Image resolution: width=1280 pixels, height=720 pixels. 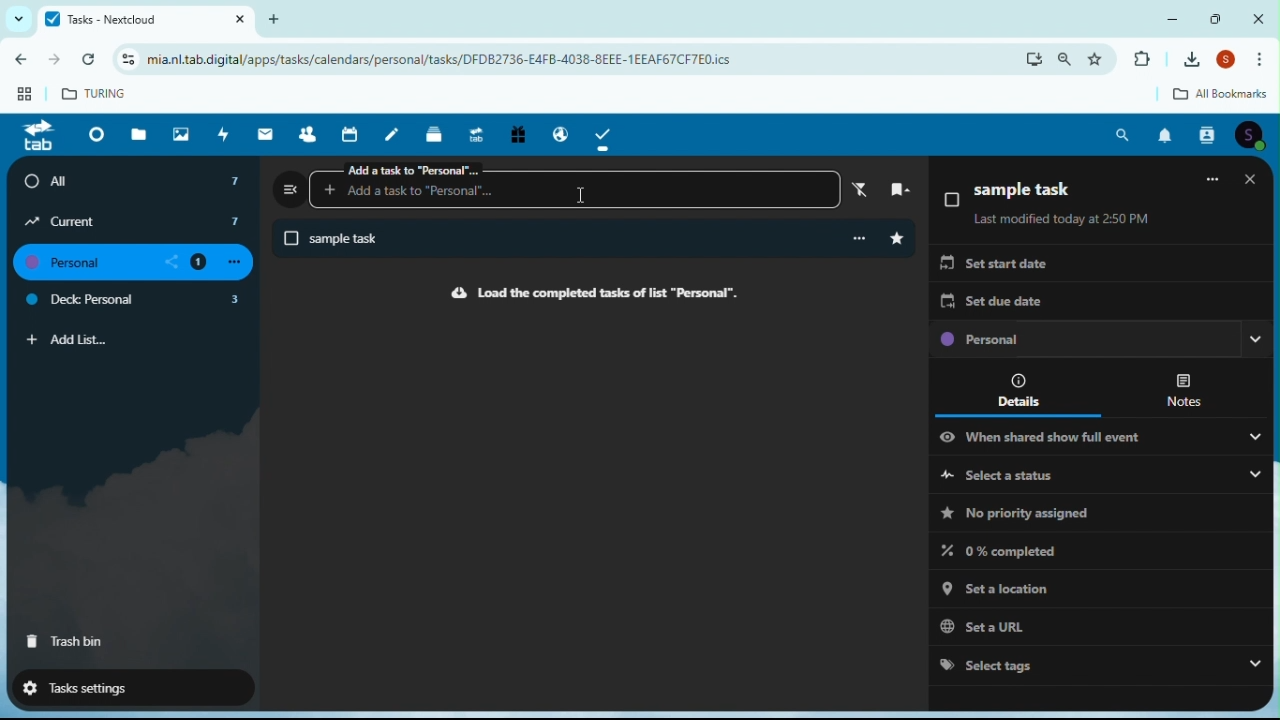 I want to click on Deck personal, so click(x=136, y=302).